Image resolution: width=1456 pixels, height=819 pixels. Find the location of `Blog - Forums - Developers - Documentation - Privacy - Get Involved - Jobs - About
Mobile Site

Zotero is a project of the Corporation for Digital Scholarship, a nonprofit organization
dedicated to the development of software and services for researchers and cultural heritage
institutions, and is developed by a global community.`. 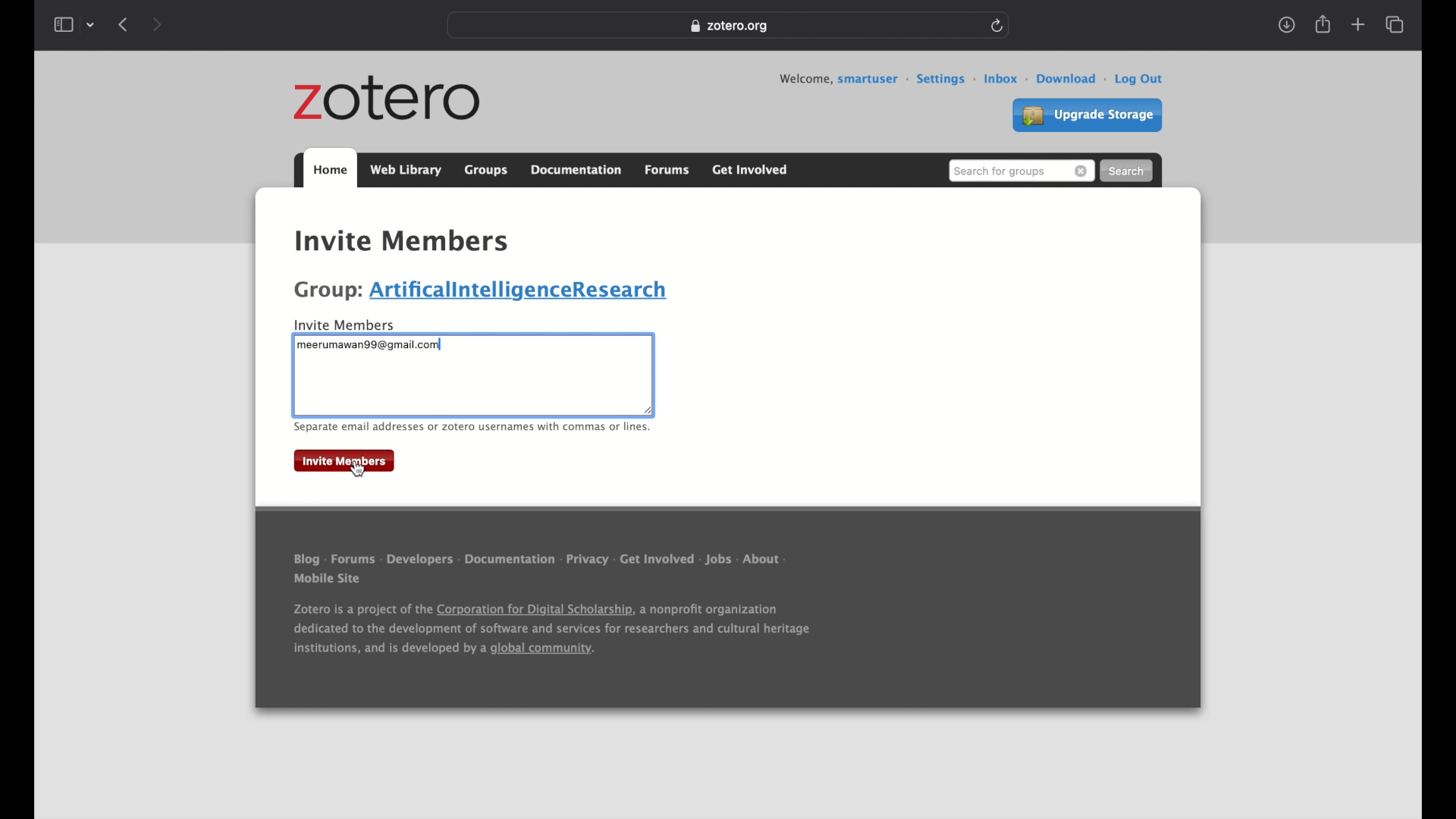

Blog - Forums - Developers - Documentation - Privacy - Get Involved - Jobs - About
Mobile Site

Zotero is a project of the Corporation for Digital Scholarship, a nonprofit organization
dedicated to the development of software and services for researchers and cultural heritage
institutions, and is developed by a global community. is located at coordinates (570, 613).